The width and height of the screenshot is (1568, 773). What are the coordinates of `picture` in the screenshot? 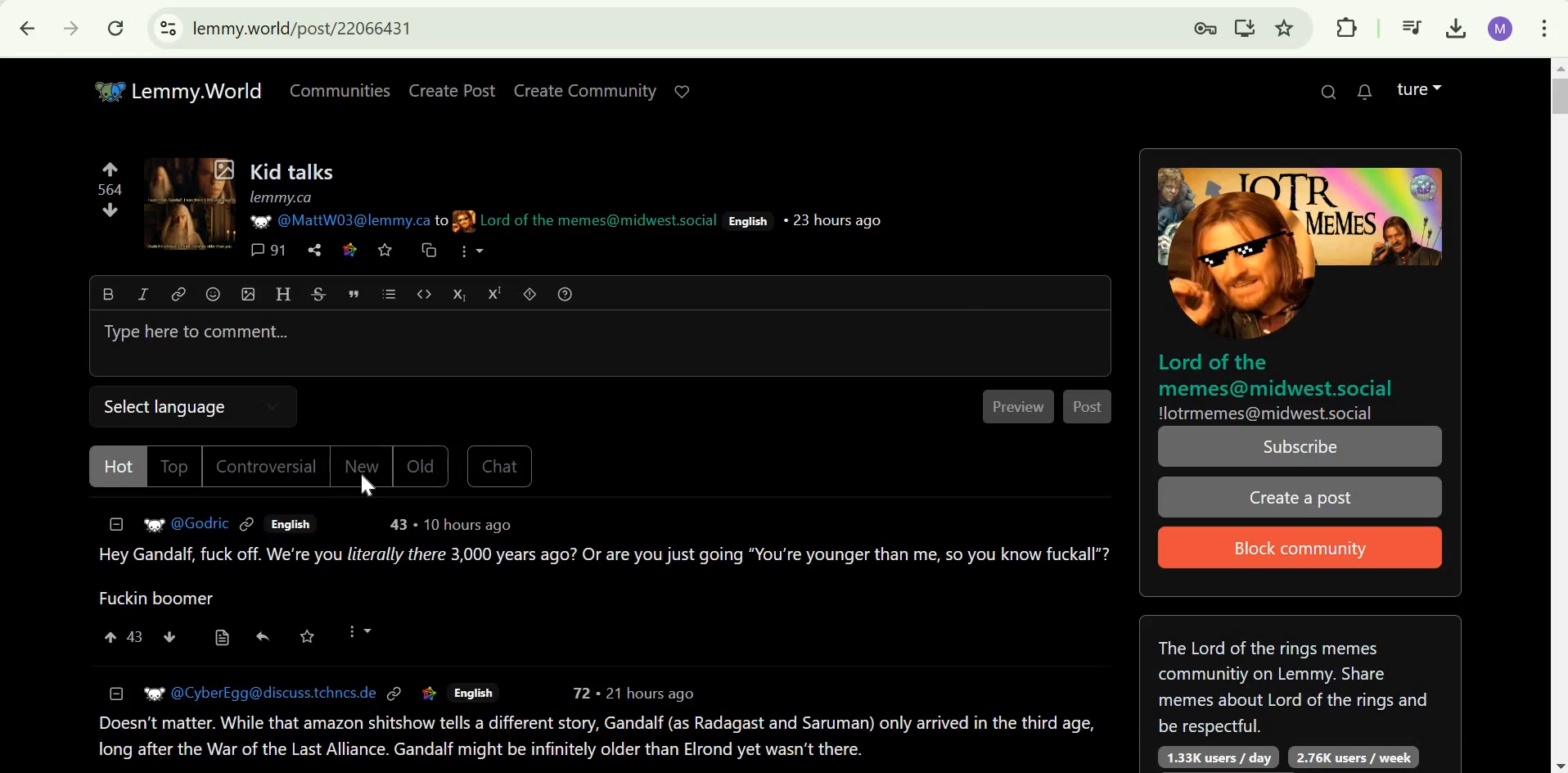 It's located at (151, 522).